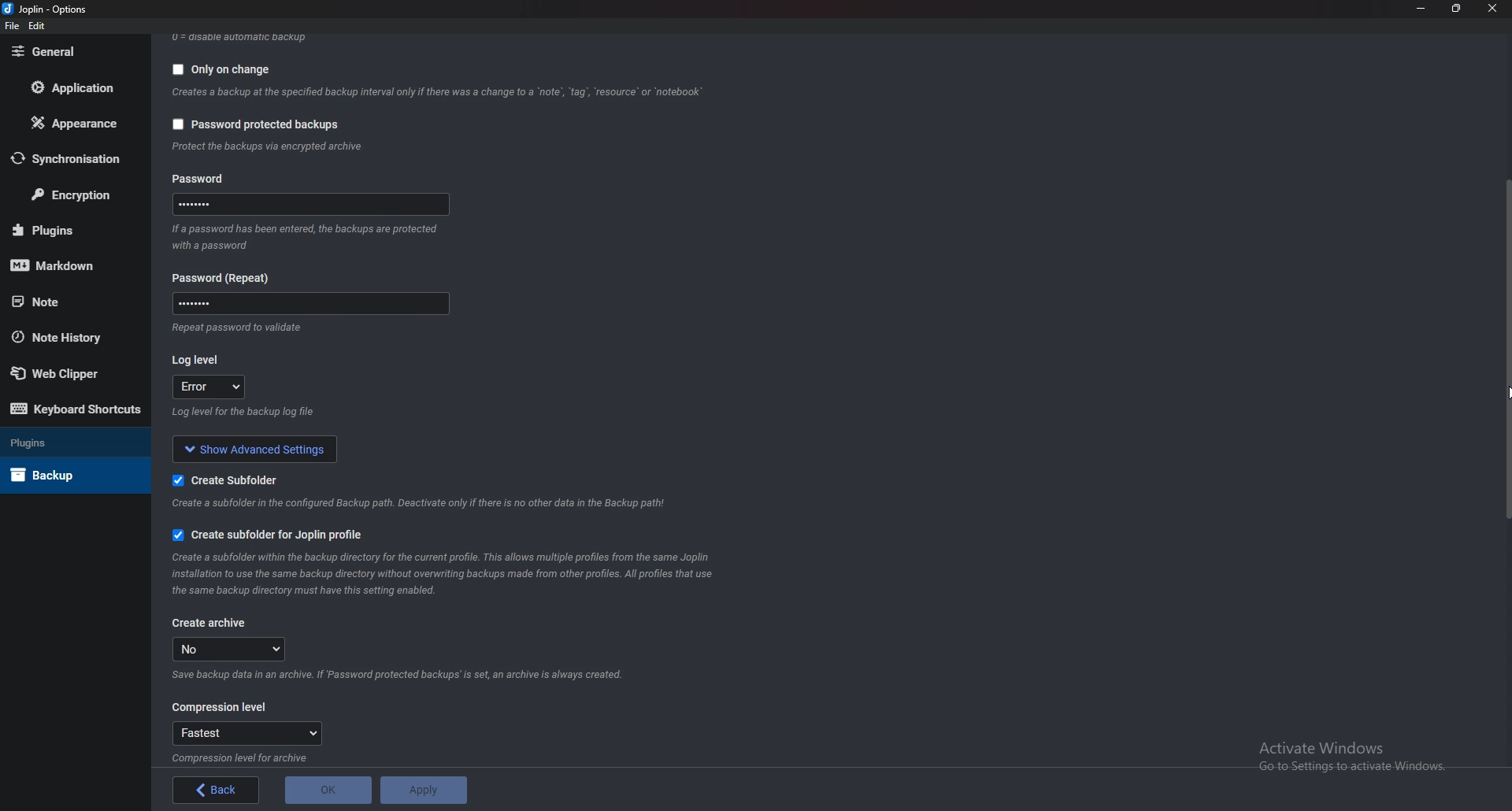 This screenshot has height=811, width=1512. What do you see at coordinates (80, 87) in the screenshot?
I see `Application` at bounding box center [80, 87].